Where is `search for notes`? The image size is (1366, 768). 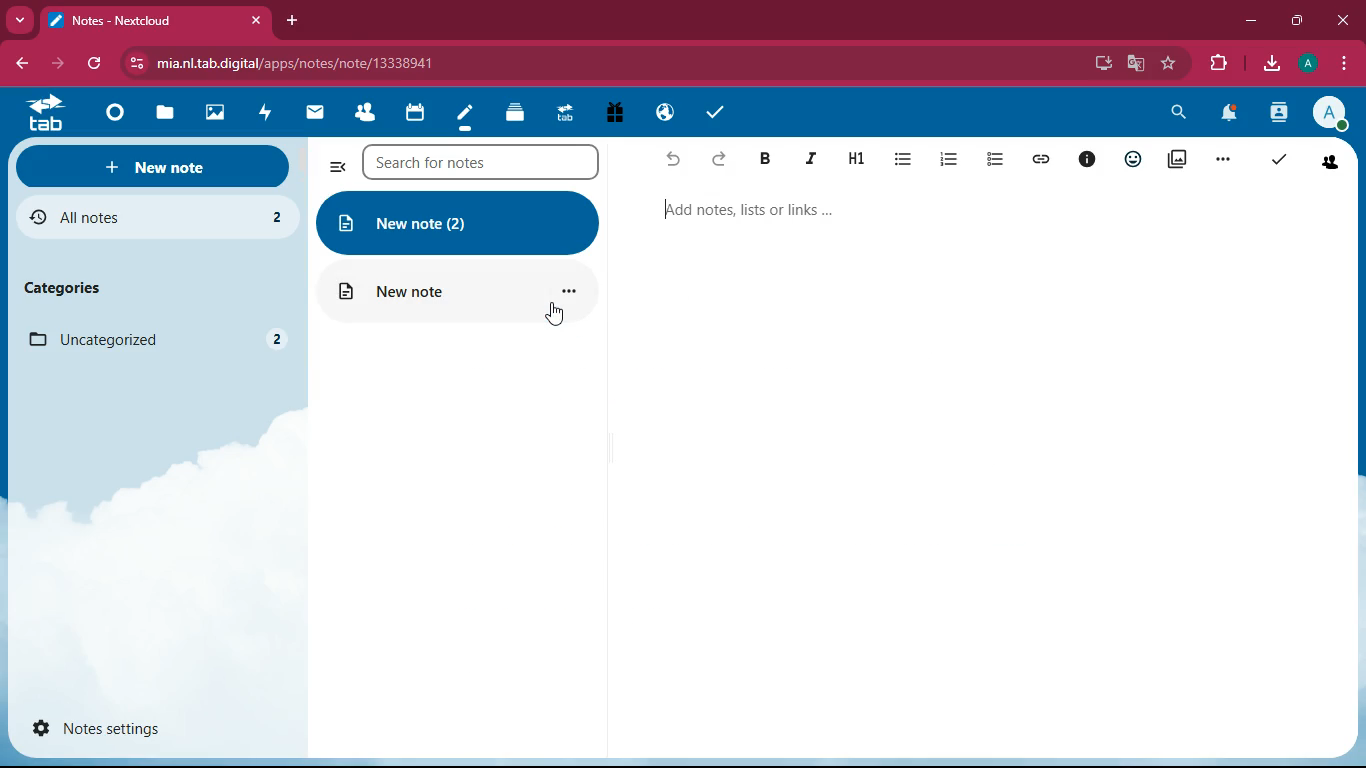 search for notes is located at coordinates (489, 164).